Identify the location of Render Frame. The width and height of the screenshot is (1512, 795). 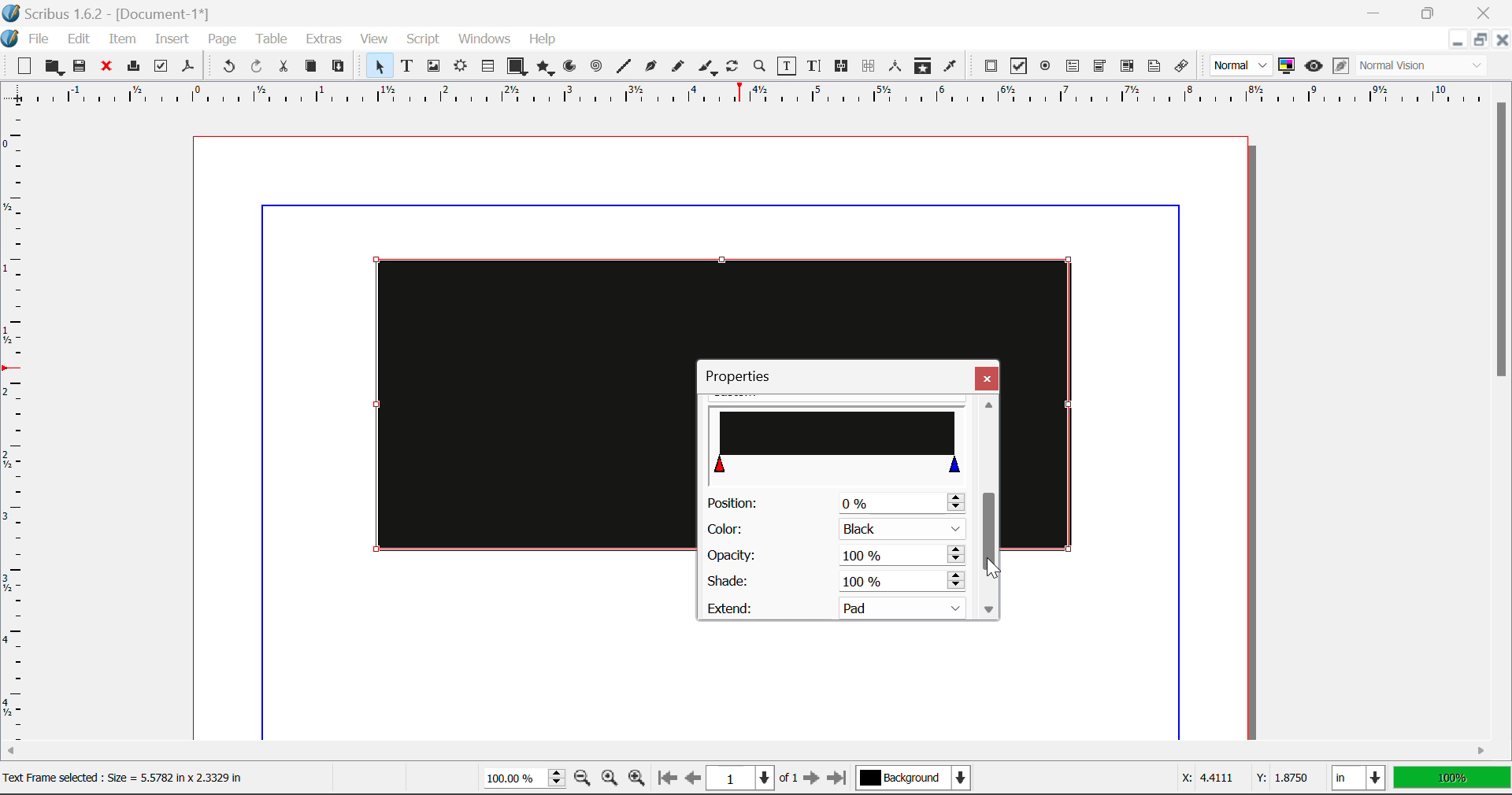
(460, 68).